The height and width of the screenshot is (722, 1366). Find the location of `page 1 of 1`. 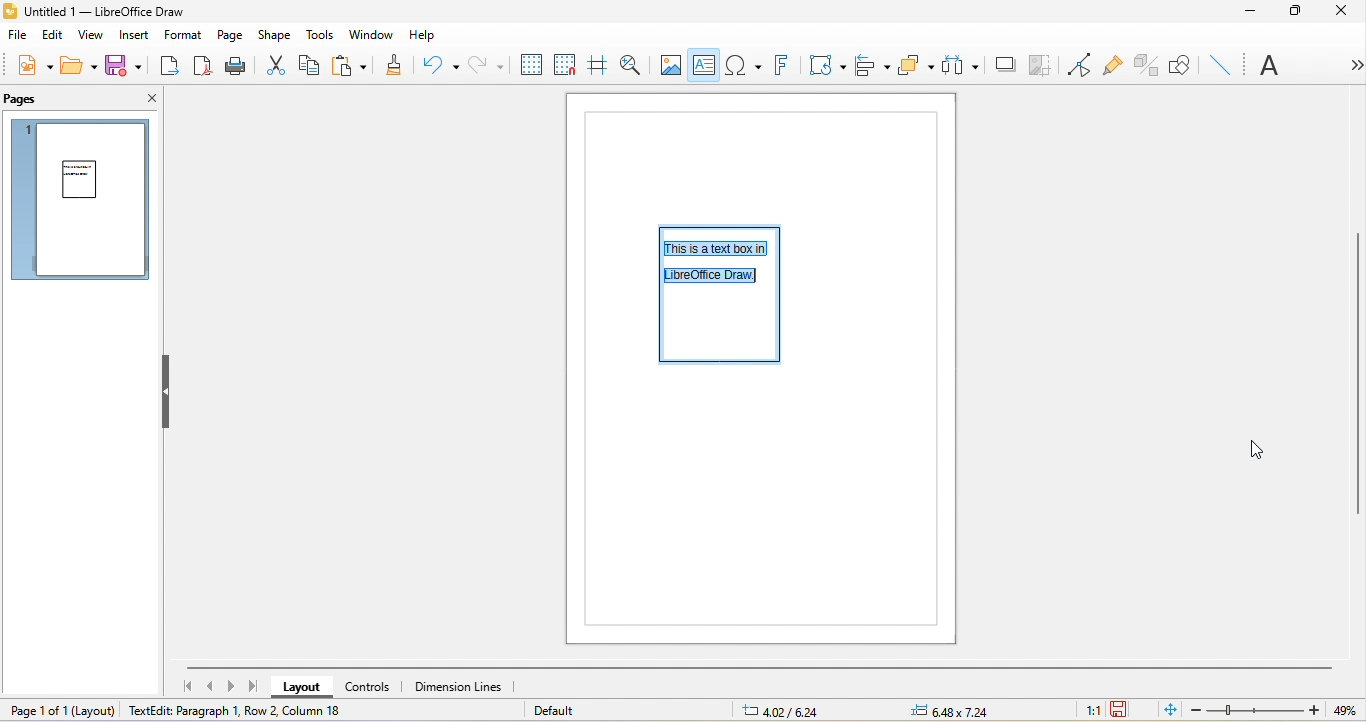

page 1 of 1 is located at coordinates (60, 712).